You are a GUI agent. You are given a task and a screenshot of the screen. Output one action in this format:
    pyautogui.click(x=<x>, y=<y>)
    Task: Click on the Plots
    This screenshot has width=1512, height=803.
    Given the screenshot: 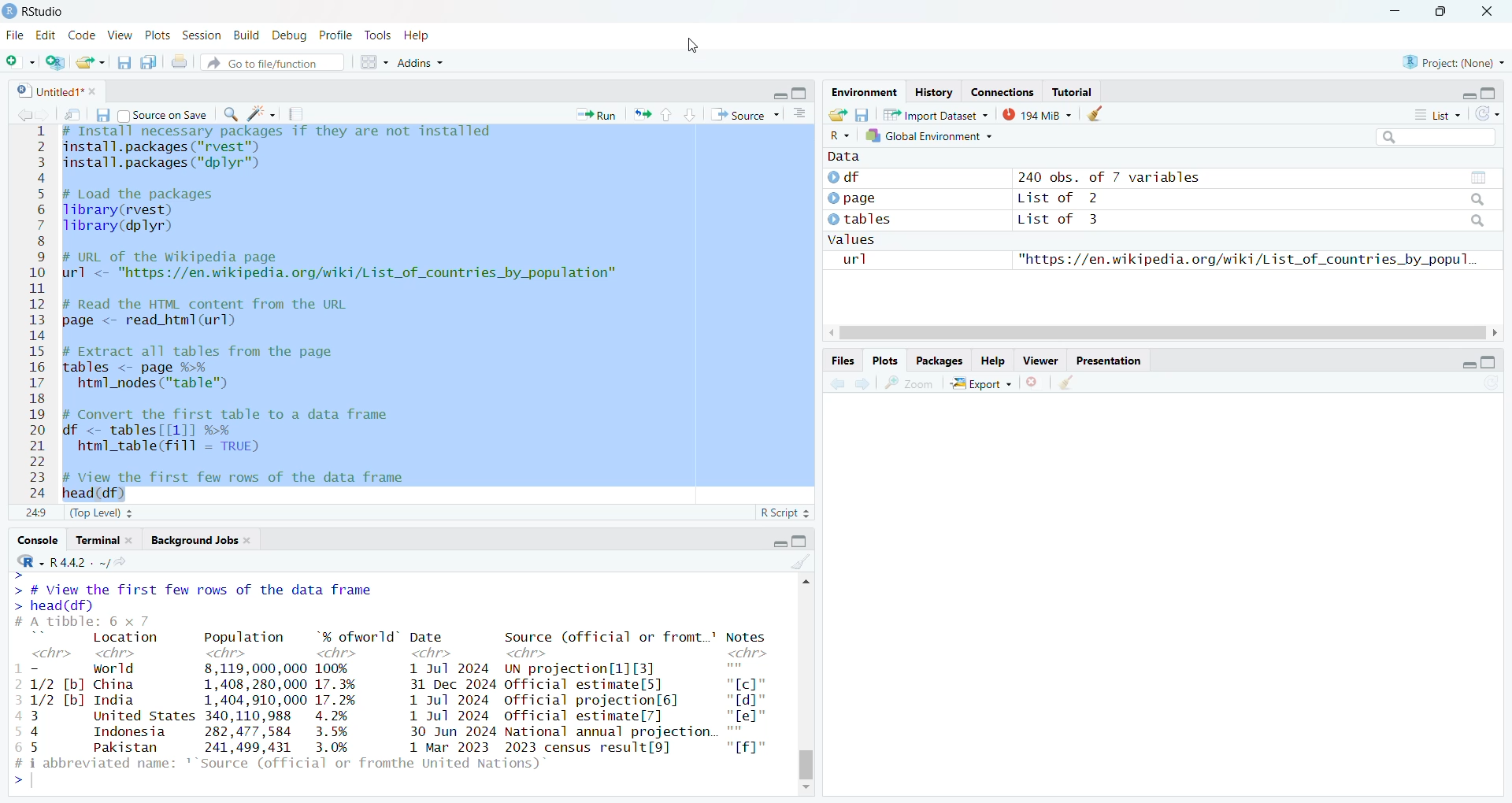 What is the action you would take?
    pyautogui.click(x=884, y=360)
    